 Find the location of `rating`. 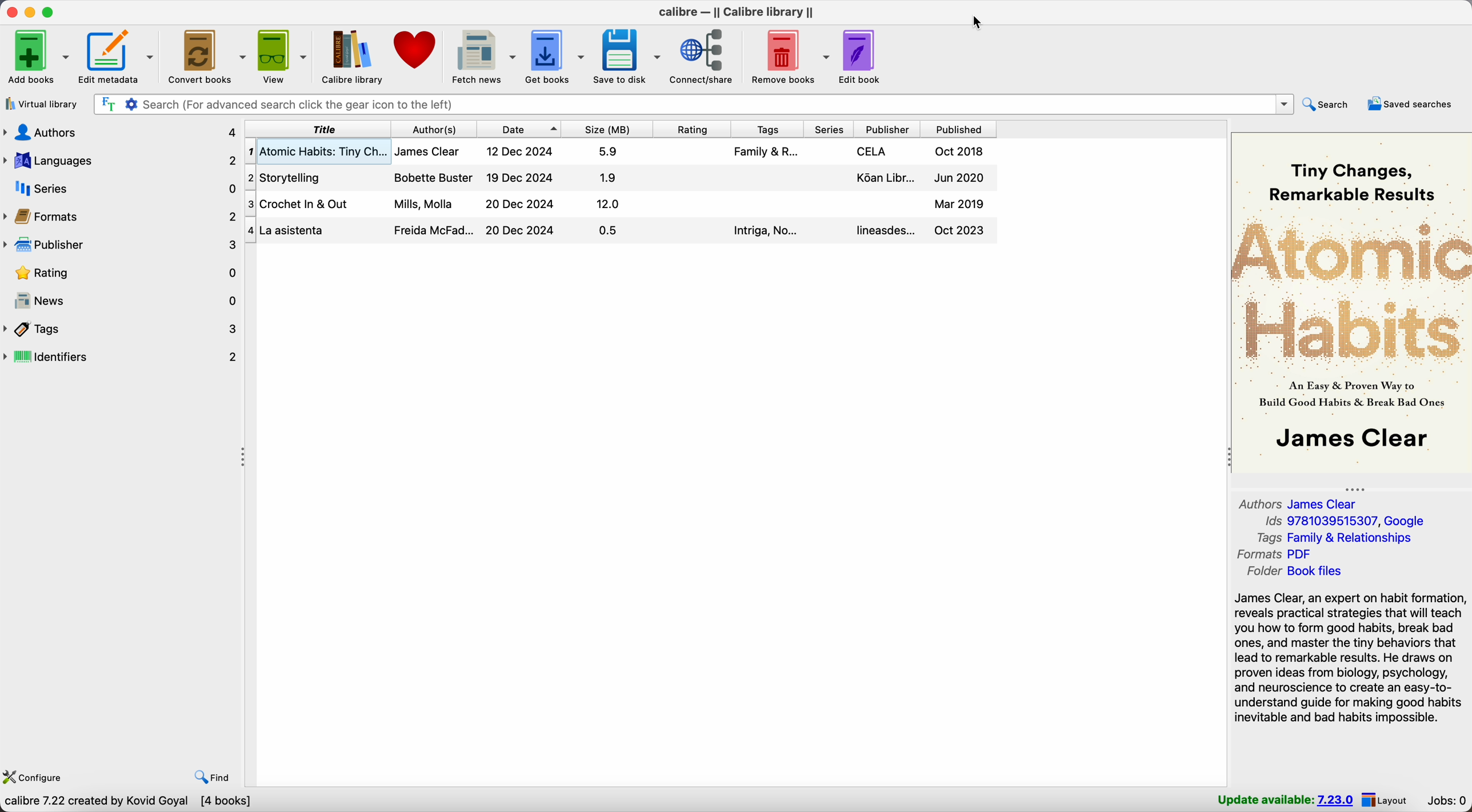

rating is located at coordinates (692, 128).